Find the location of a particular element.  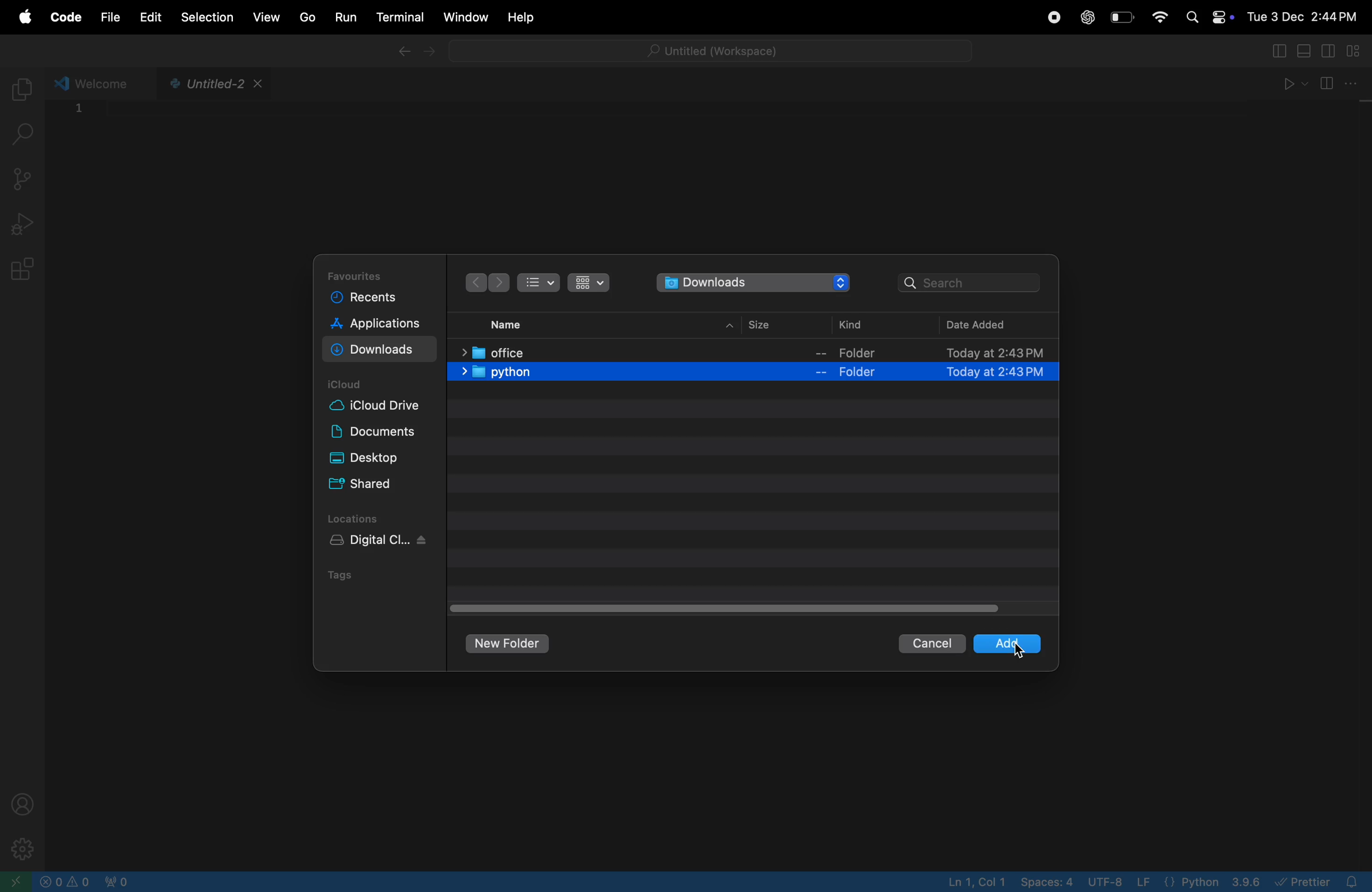

togle is located at coordinates (730, 608).